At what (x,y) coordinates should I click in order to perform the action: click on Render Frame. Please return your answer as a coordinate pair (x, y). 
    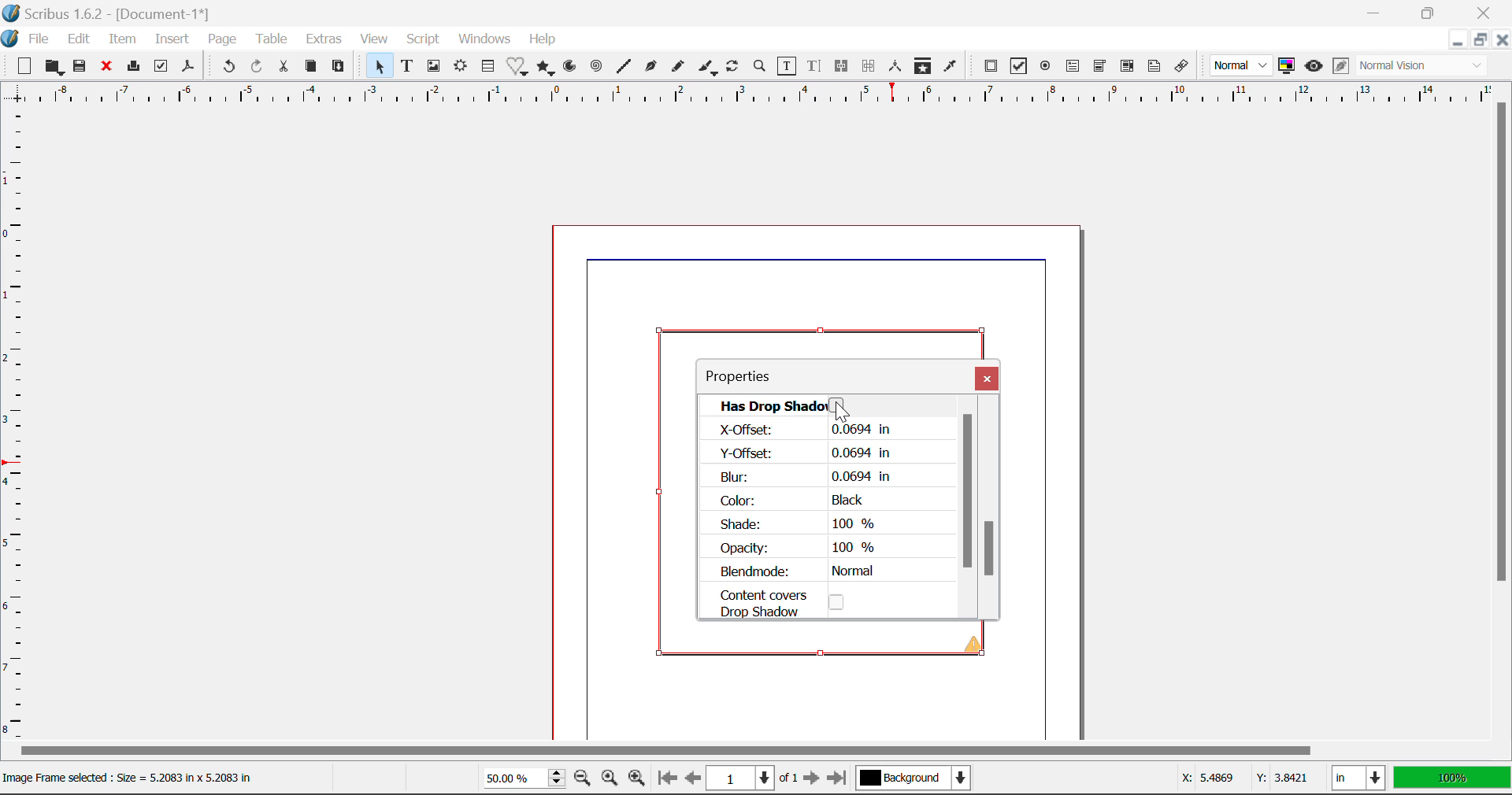
    Looking at the image, I should click on (462, 68).